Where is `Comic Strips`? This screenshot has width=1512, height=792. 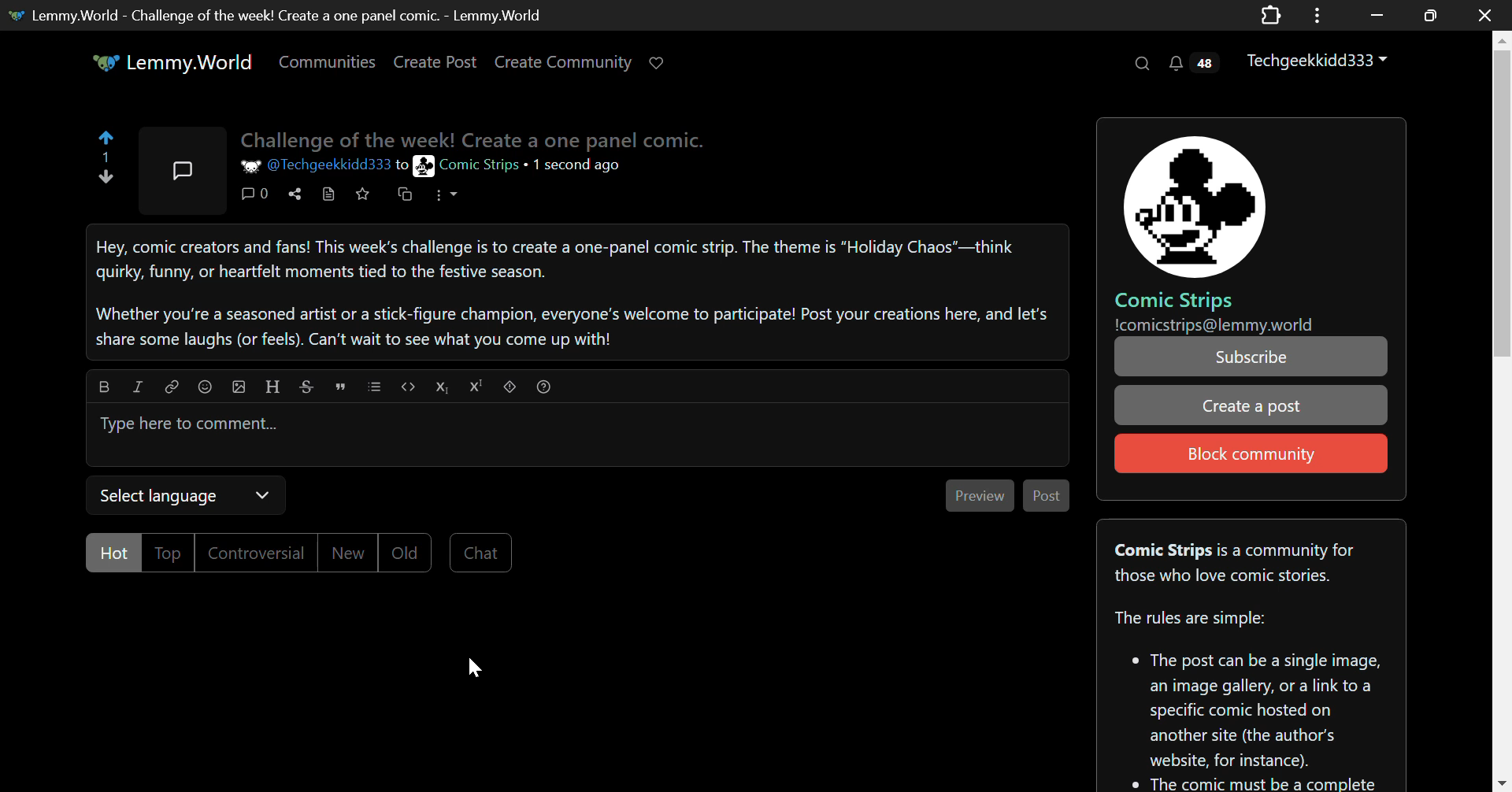
Comic Strips is located at coordinates (1177, 301).